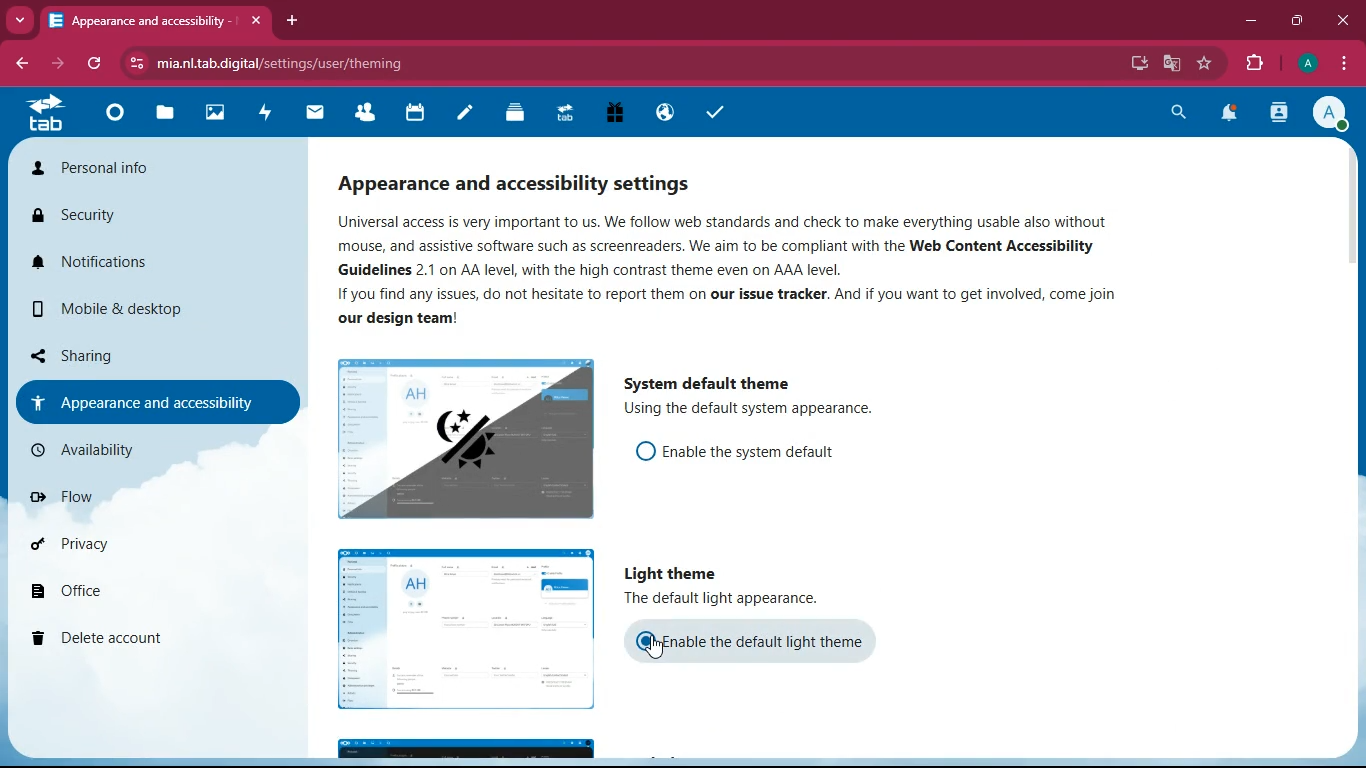 This screenshot has height=768, width=1366. What do you see at coordinates (154, 219) in the screenshot?
I see `security` at bounding box center [154, 219].